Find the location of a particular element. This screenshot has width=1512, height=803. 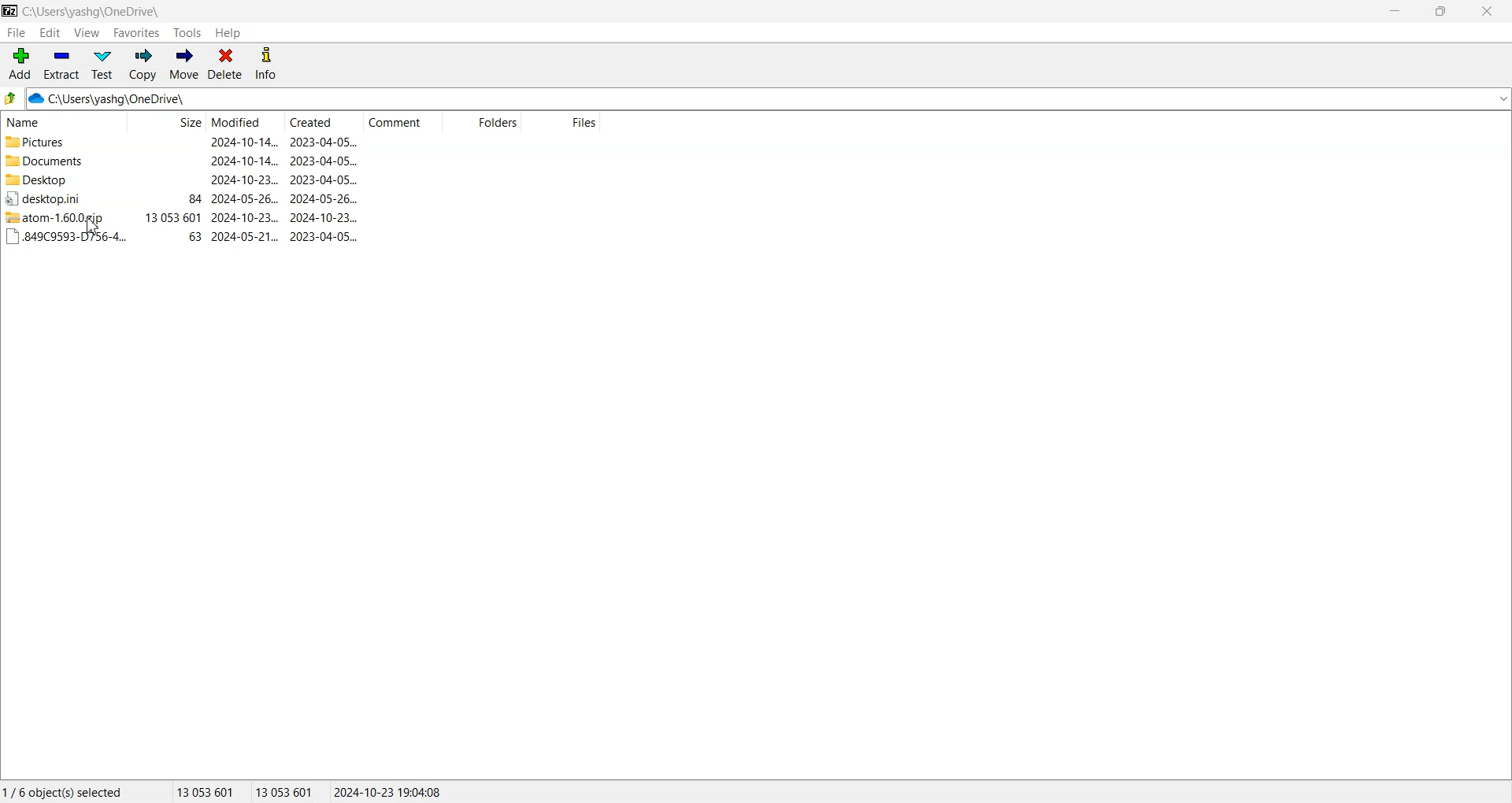

13 053 601 is located at coordinates (206, 791).